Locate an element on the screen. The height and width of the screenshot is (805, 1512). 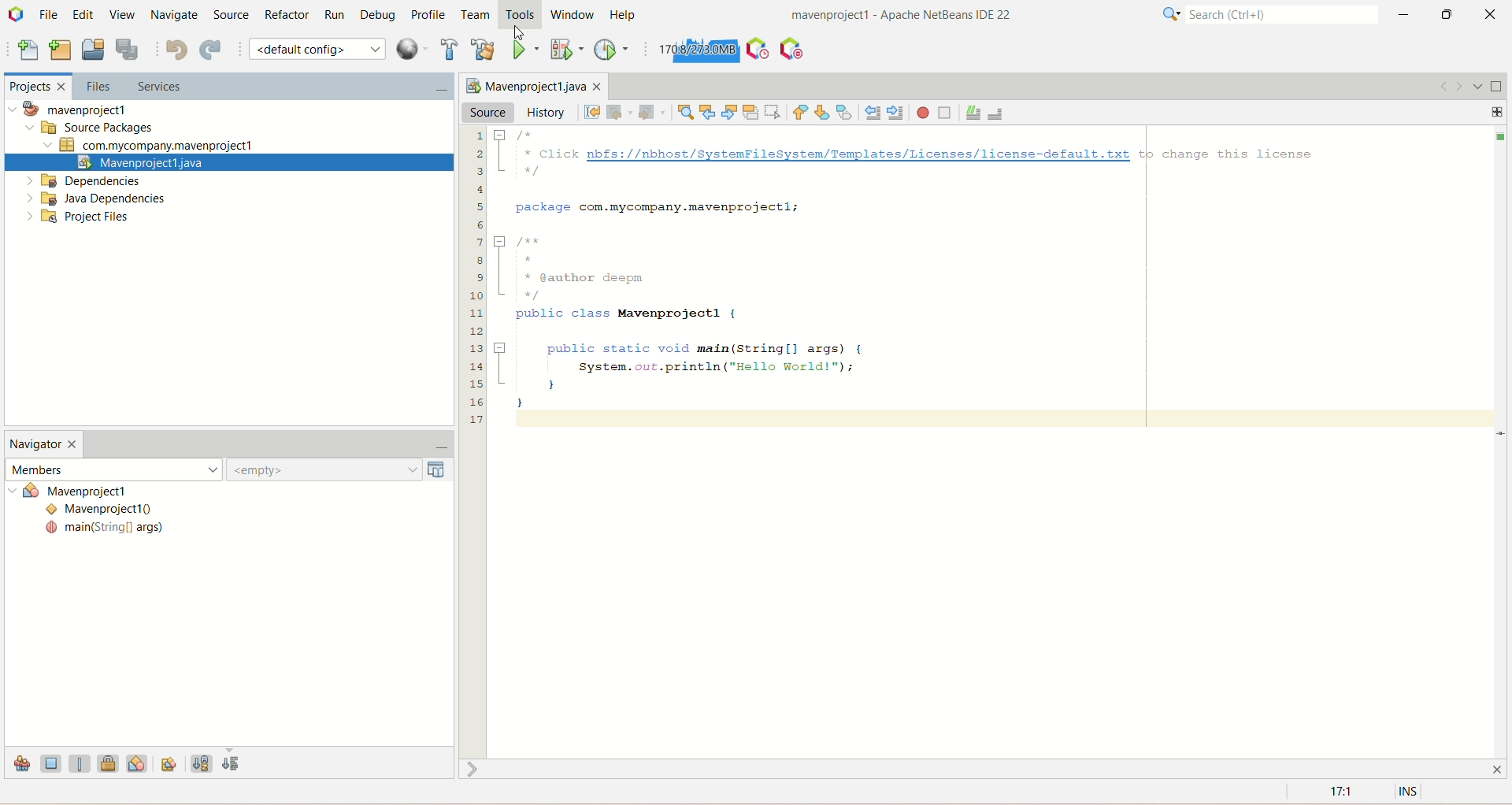
lines of code is located at coordinates (476, 276).